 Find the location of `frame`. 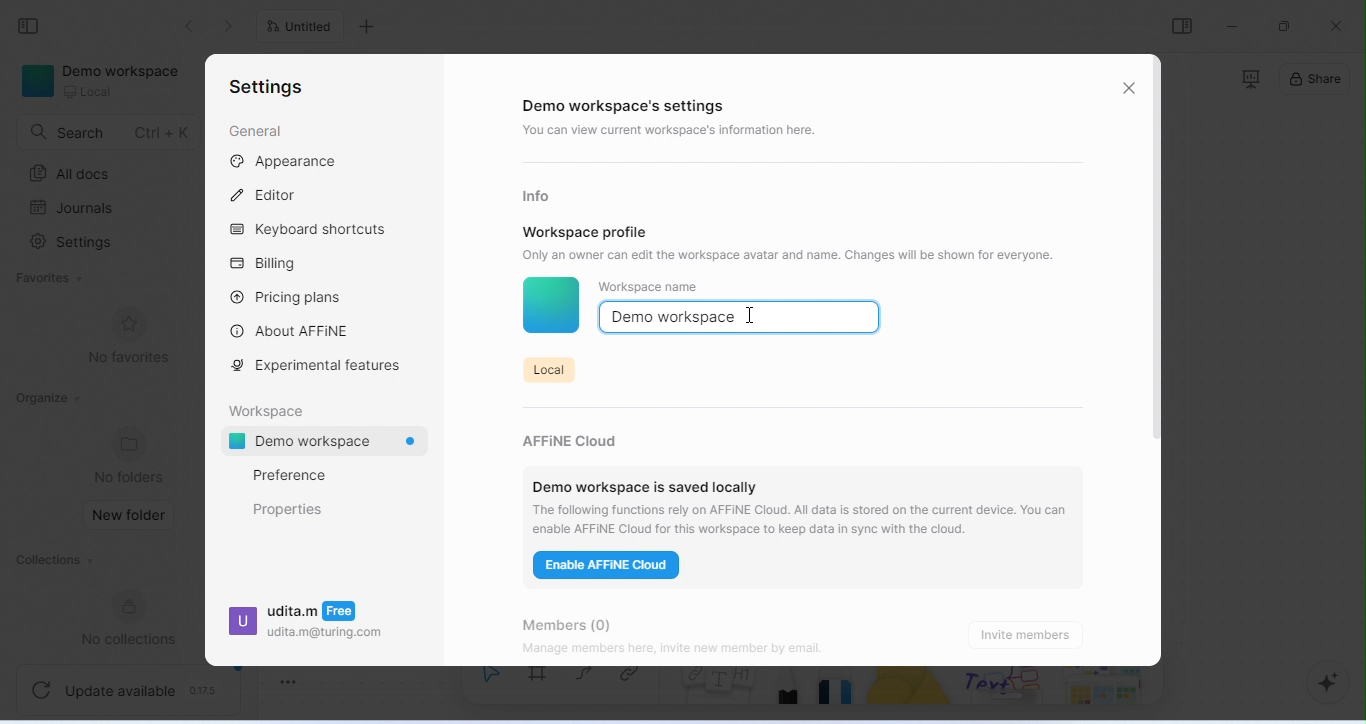

frame is located at coordinates (542, 685).